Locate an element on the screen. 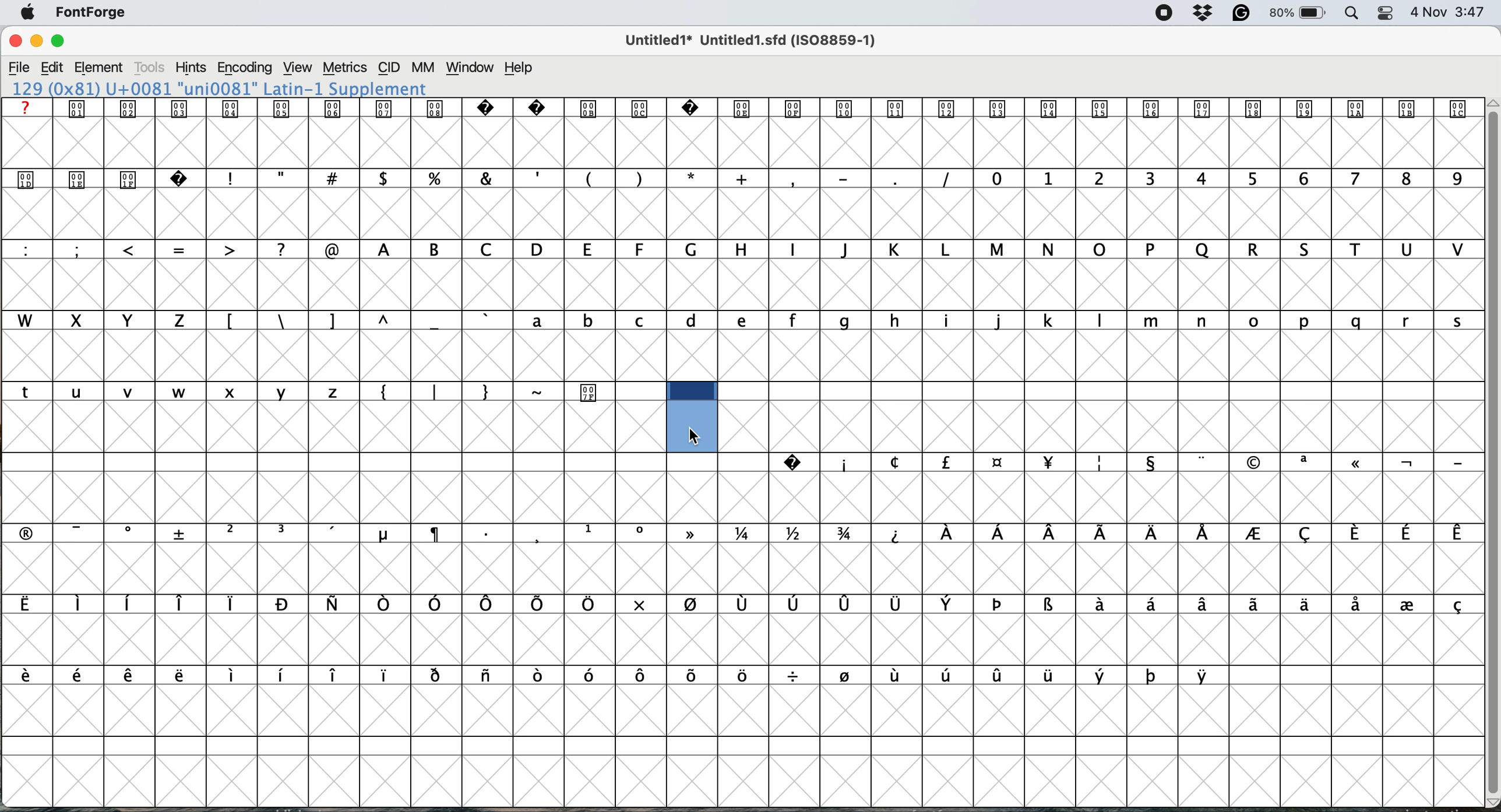 Image resolution: width=1501 pixels, height=812 pixels. Minimize is located at coordinates (38, 41).